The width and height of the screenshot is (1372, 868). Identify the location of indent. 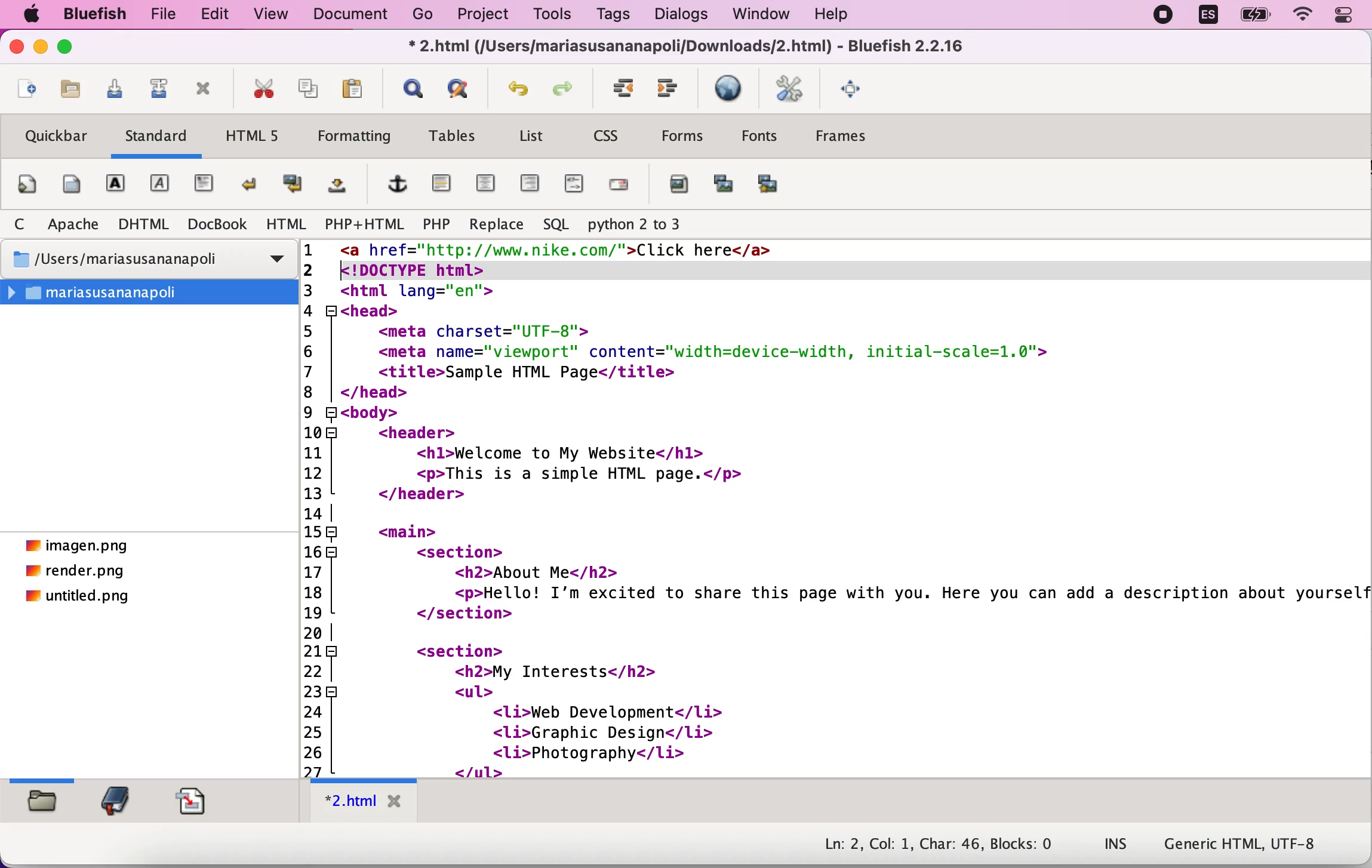
(672, 90).